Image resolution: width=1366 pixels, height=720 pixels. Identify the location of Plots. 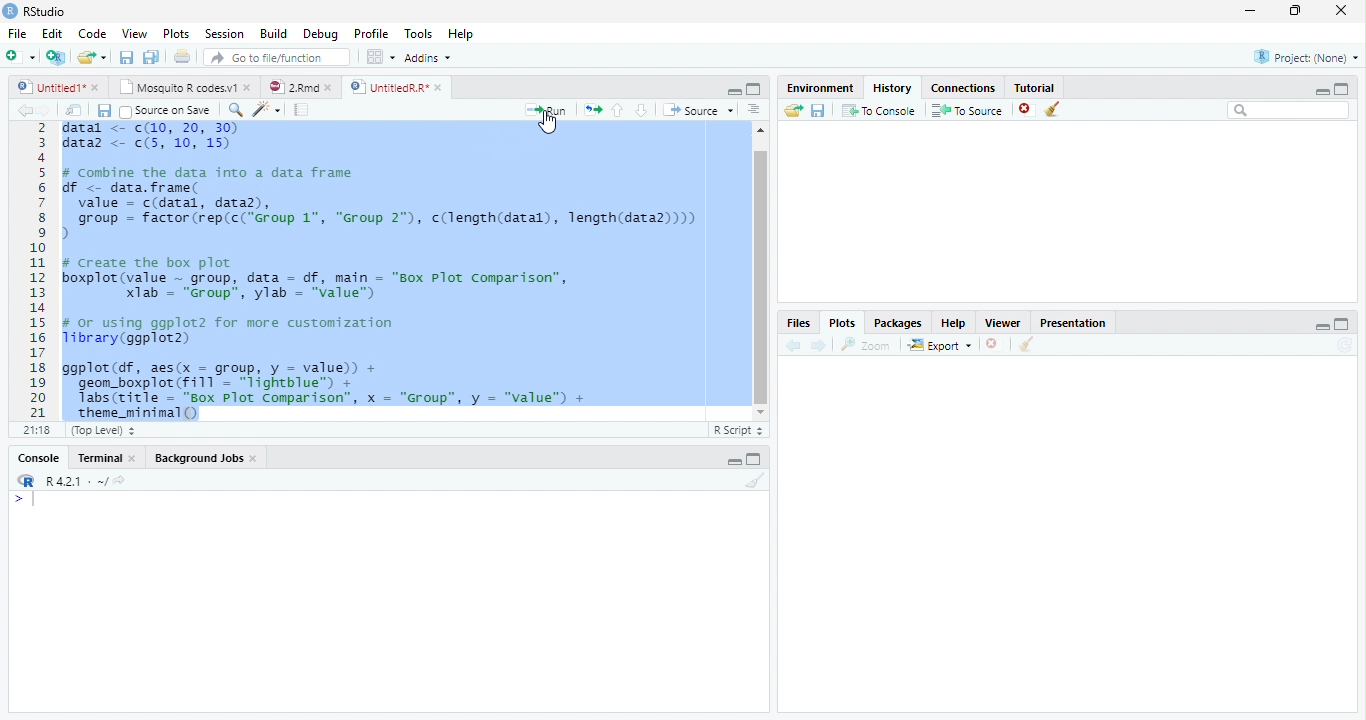
(174, 33).